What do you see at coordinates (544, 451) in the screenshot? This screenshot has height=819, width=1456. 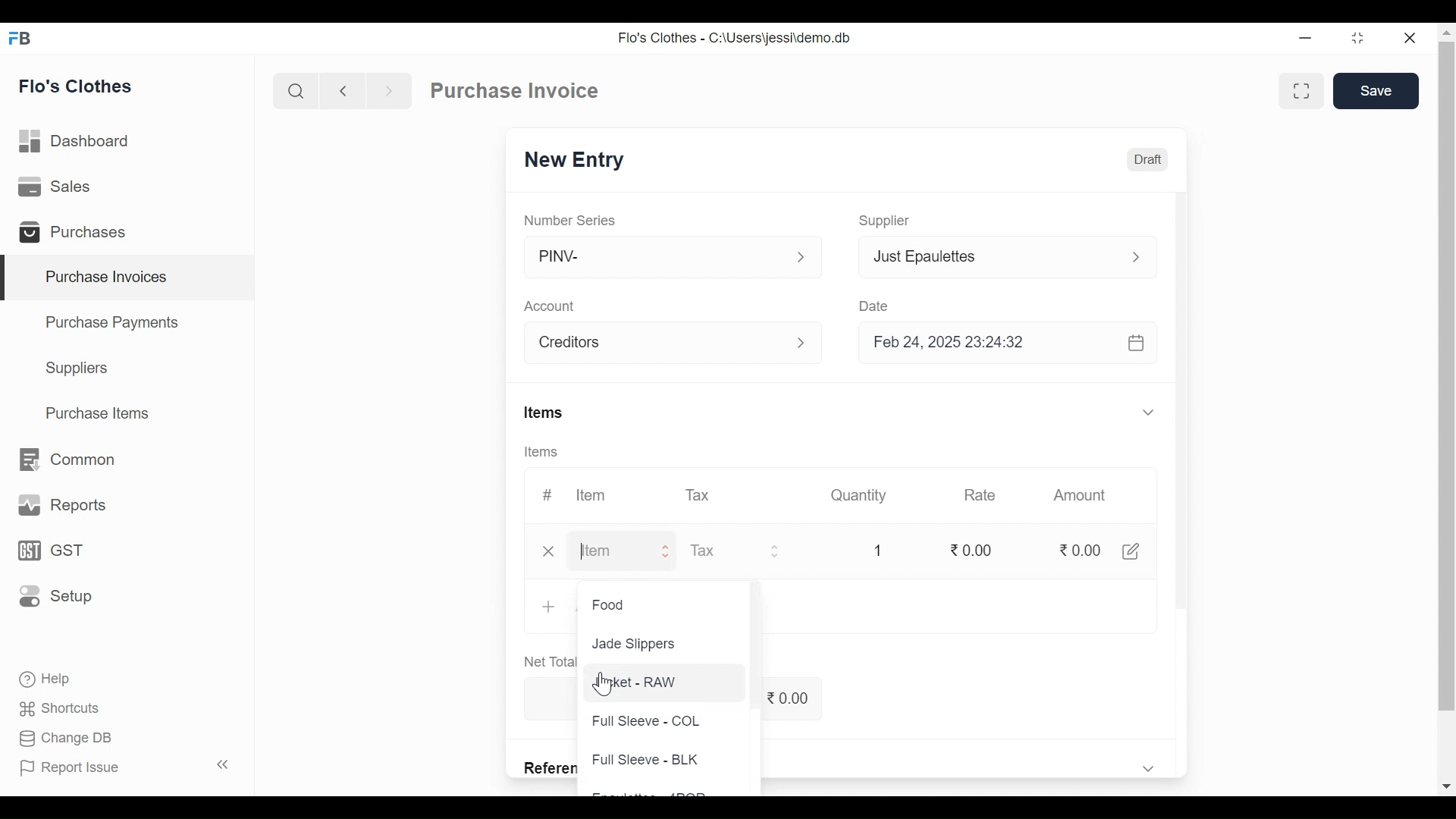 I see `Items` at bounding box center [544, 451].